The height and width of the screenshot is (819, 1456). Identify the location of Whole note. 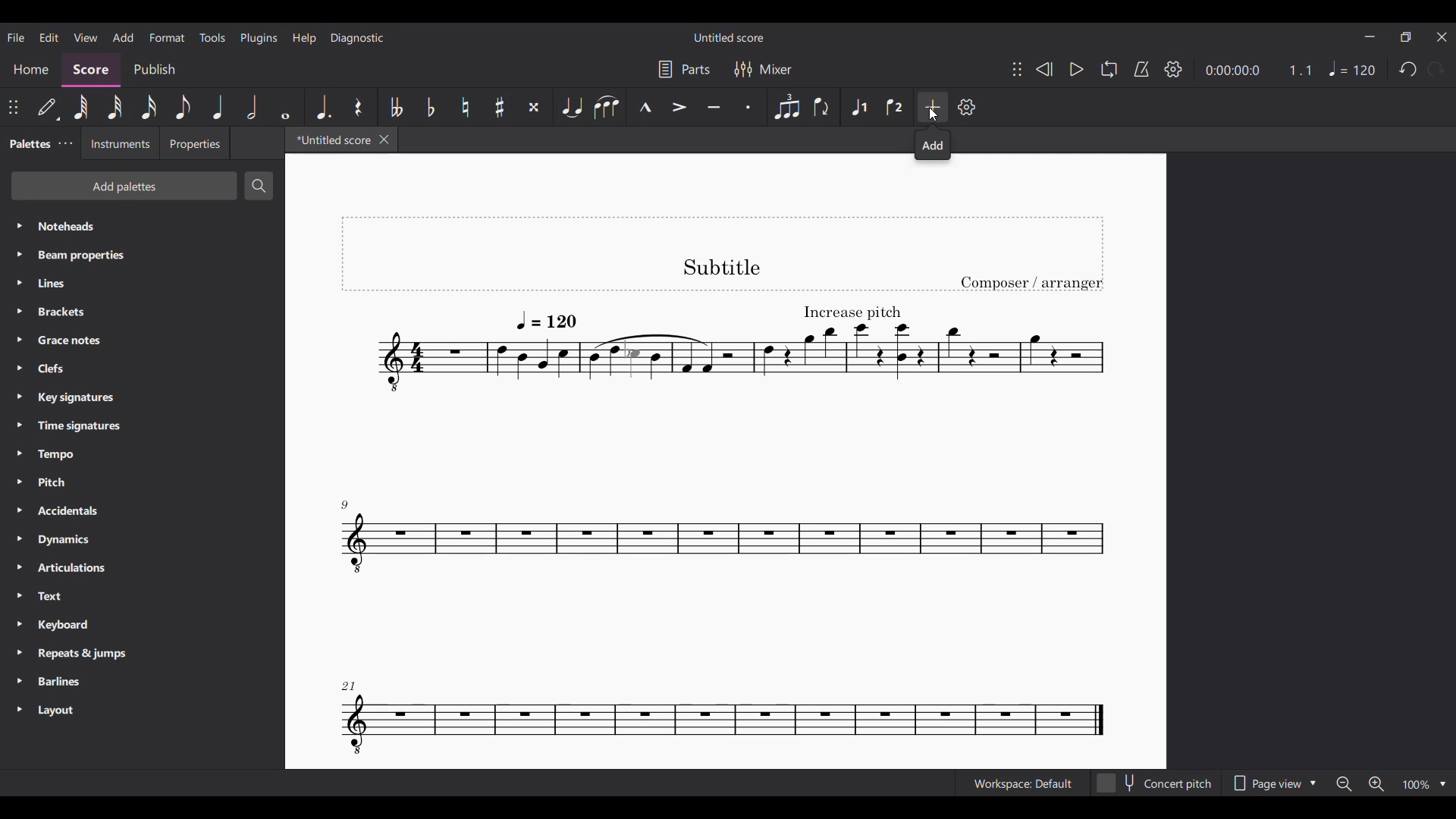
(287, 107).